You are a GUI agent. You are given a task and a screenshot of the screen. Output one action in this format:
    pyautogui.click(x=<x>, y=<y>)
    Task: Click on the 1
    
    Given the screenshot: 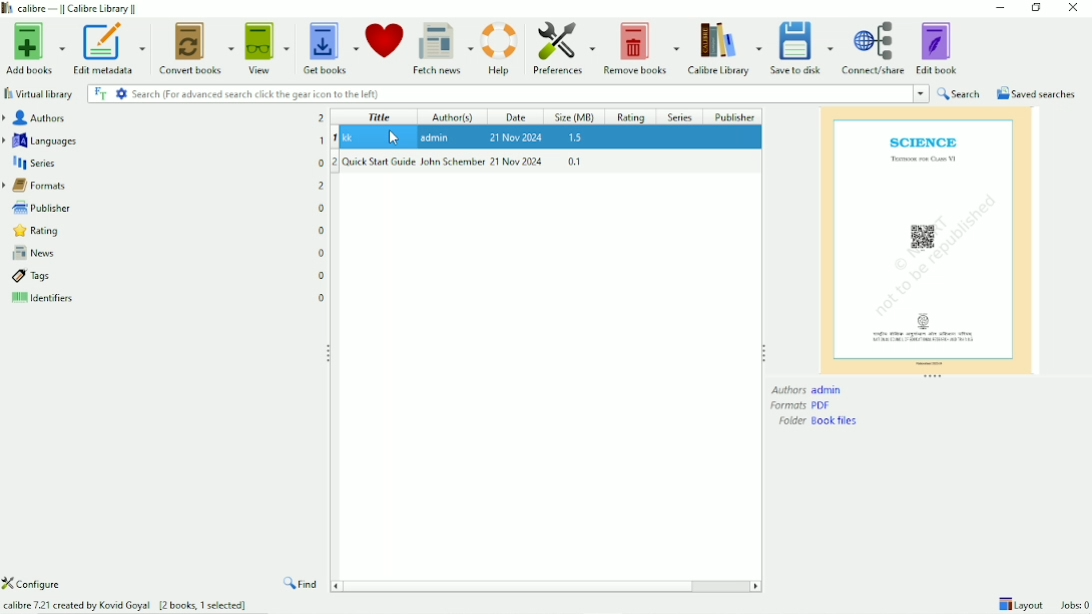 What is the action you would take?
    pyautogui.click(x=335, y=138)
    